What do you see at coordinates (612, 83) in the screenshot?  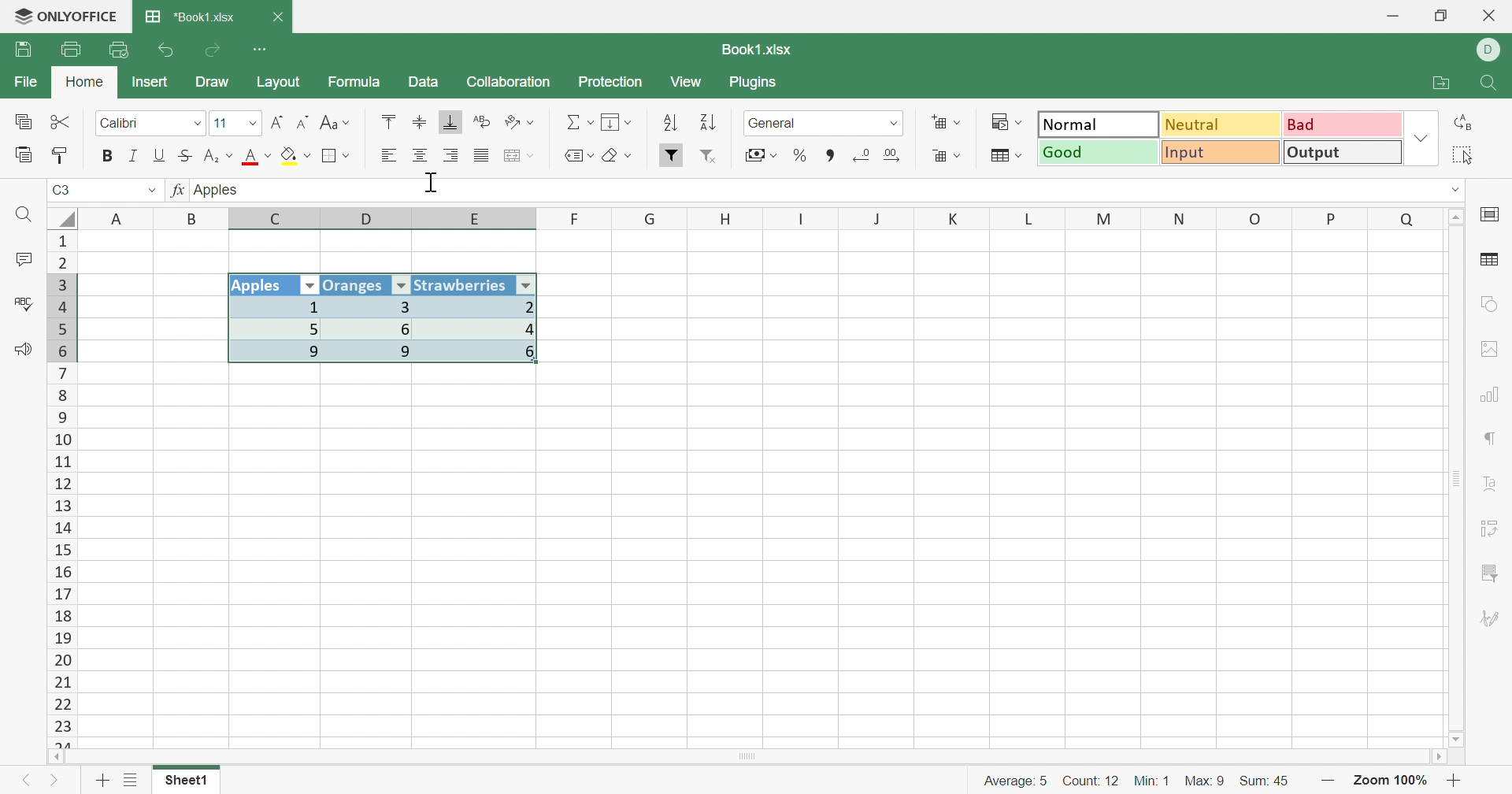 I see `Protection` at bounding box center [612, 83].